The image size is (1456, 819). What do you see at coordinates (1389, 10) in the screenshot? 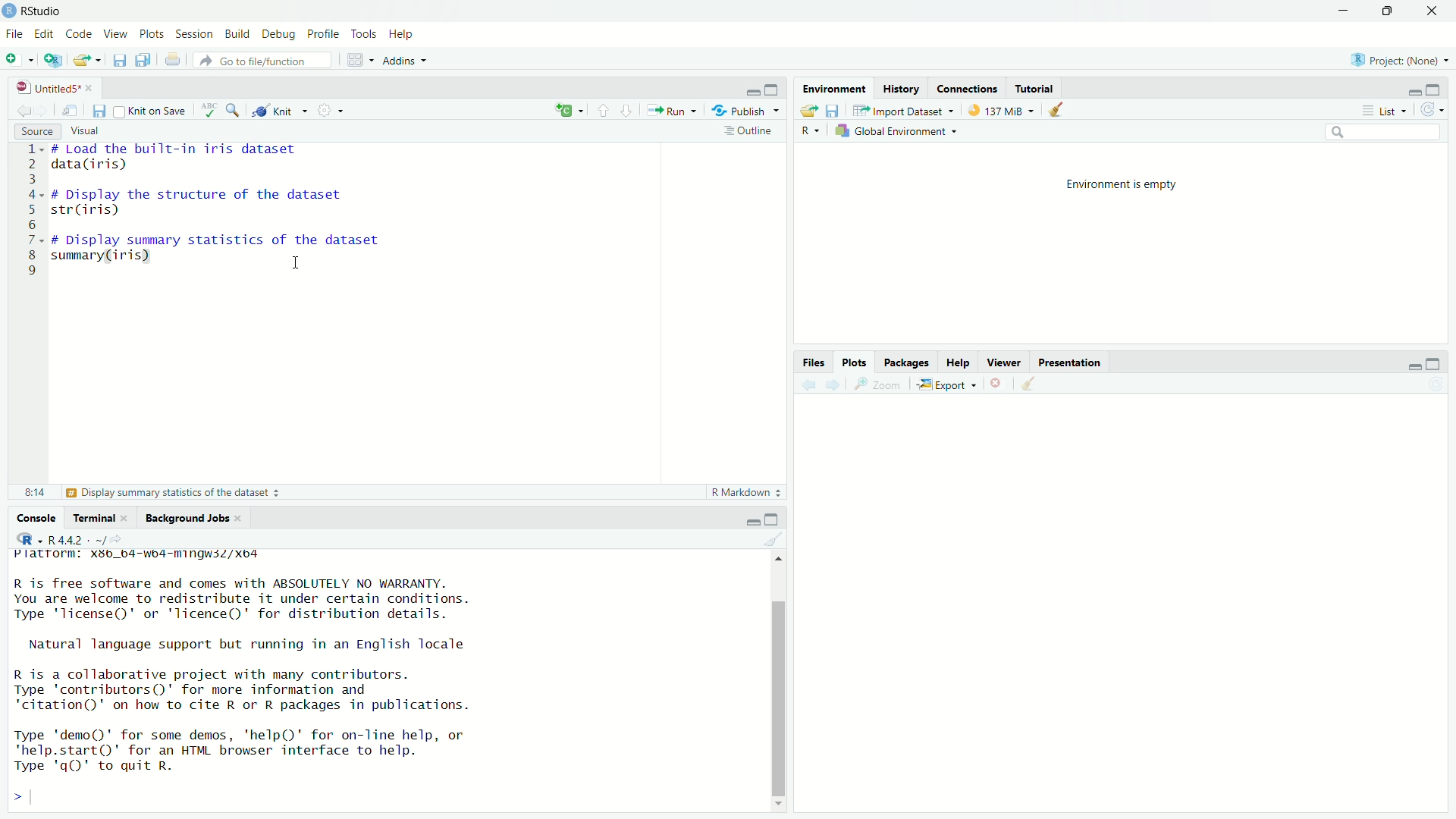
I see `Maximize` at bounding box center [1389, 10].